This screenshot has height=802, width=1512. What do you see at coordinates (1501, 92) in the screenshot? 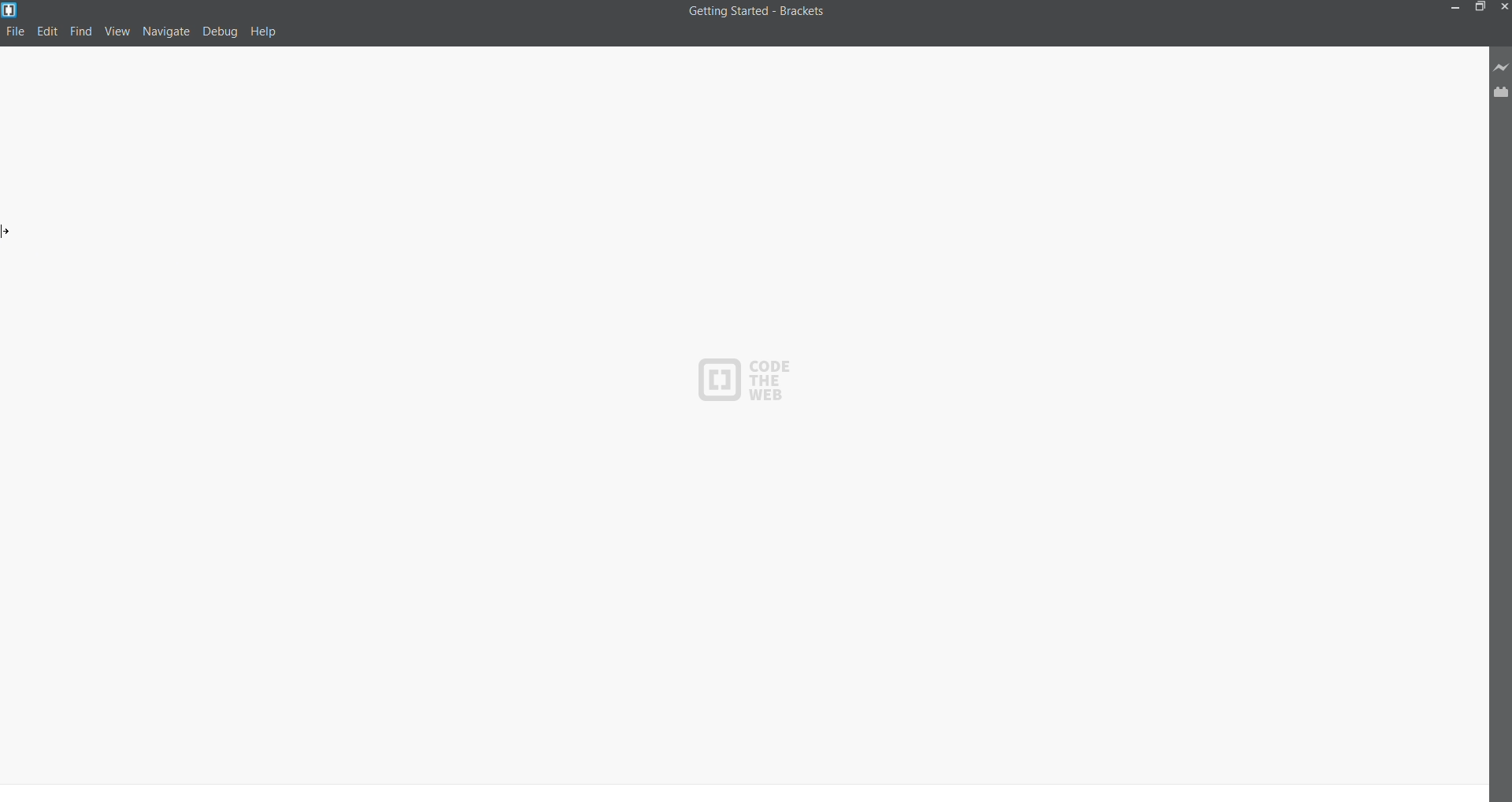
I see `extension manager` at bounding box center [1501, 92].